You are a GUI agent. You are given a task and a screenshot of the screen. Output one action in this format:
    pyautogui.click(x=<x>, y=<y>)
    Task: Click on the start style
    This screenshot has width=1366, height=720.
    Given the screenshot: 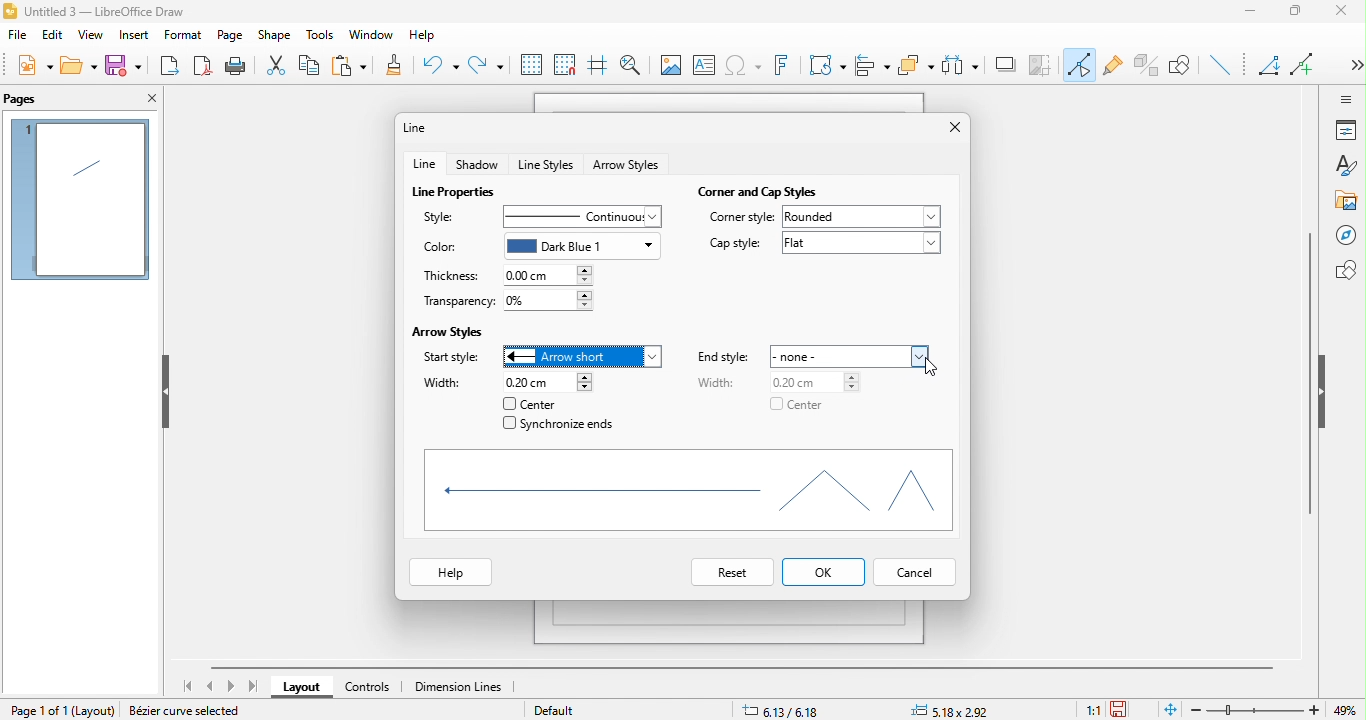 What is the action you would take?
    pyautogui.click(x=450, y=358)
    